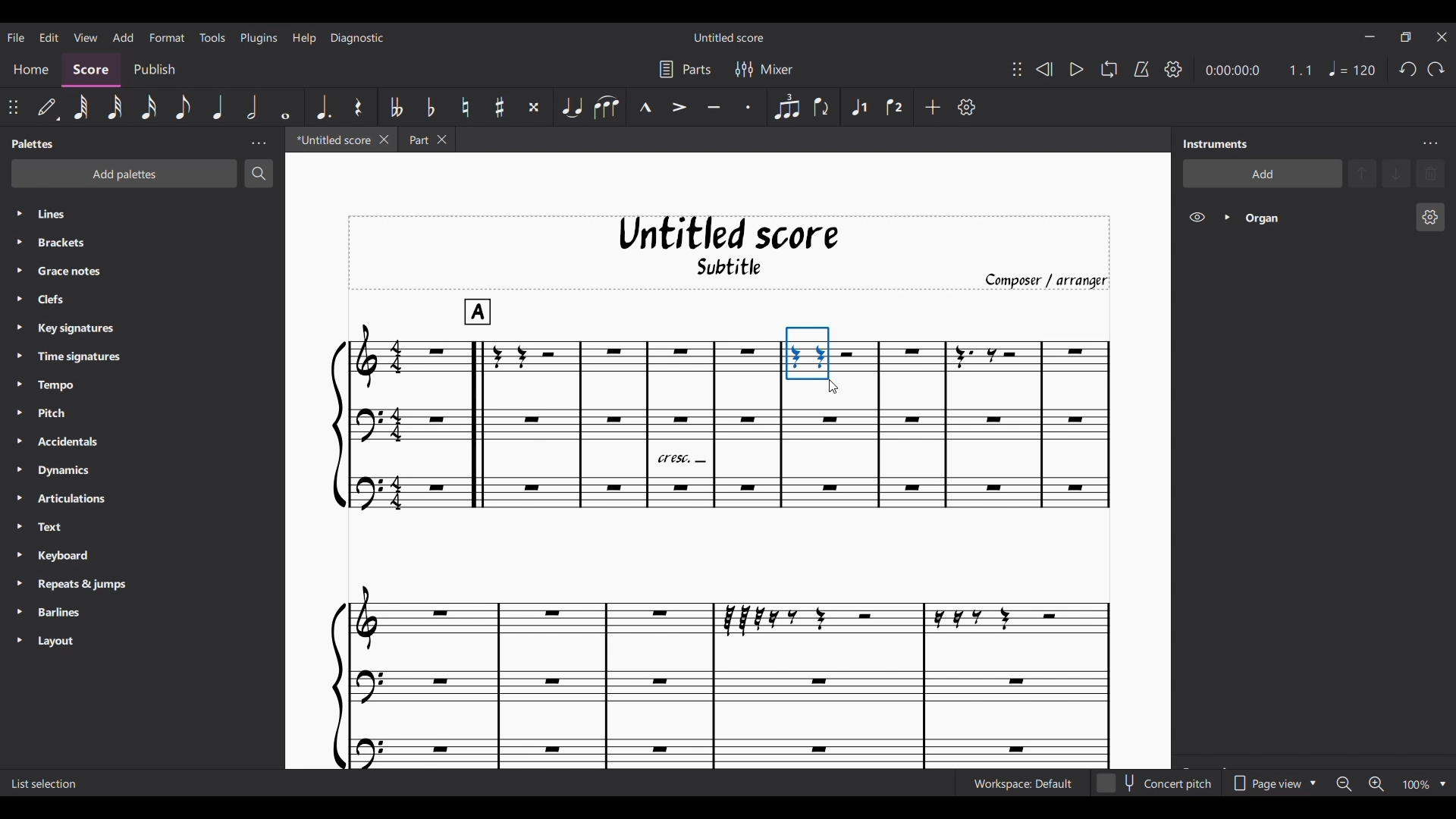 The height and width of the screenshot is (819, 1456). Describe the element at coordinates (212, 36) in the screenshot. I see `Tools menu` at that location.